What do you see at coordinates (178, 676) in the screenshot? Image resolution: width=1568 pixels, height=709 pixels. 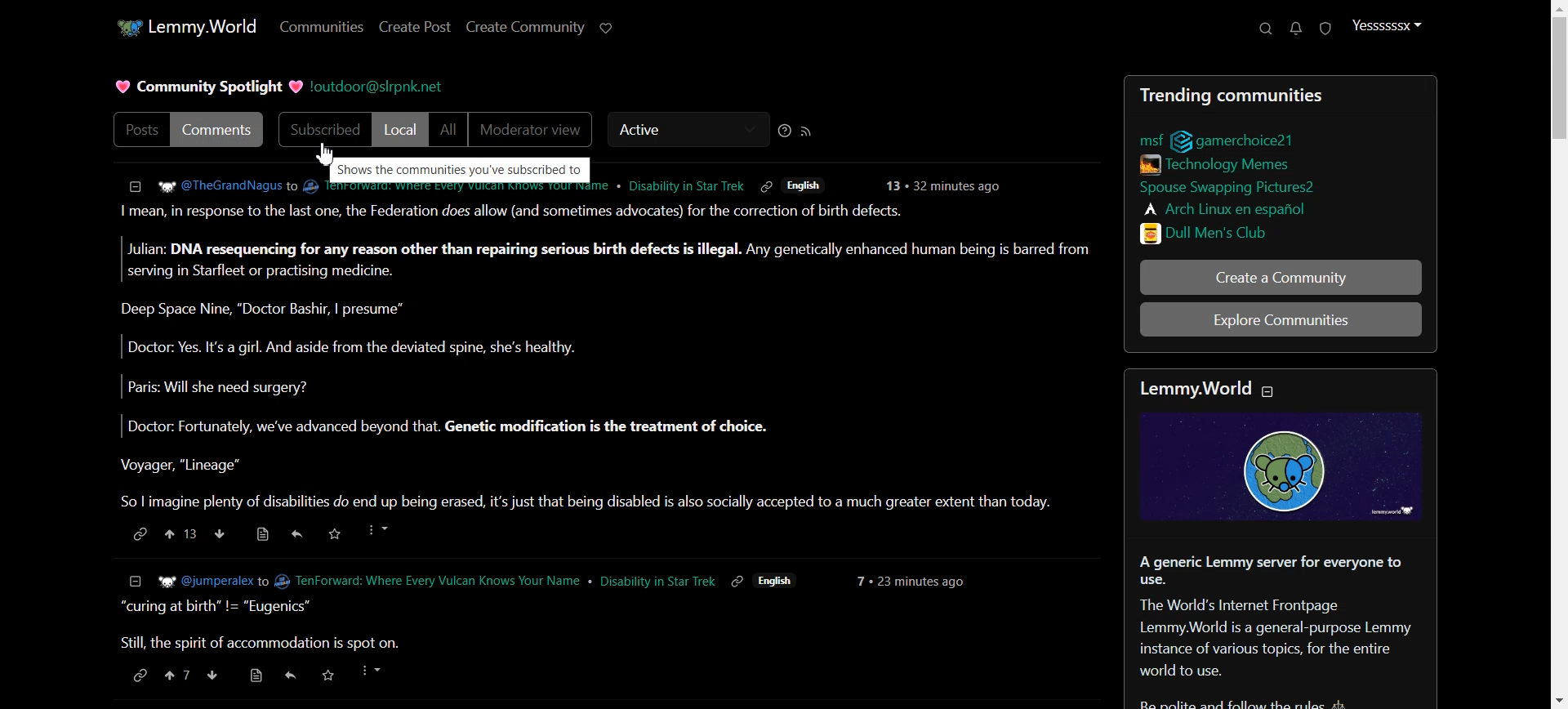 I see `upvote` at bounding box center [178, 676].